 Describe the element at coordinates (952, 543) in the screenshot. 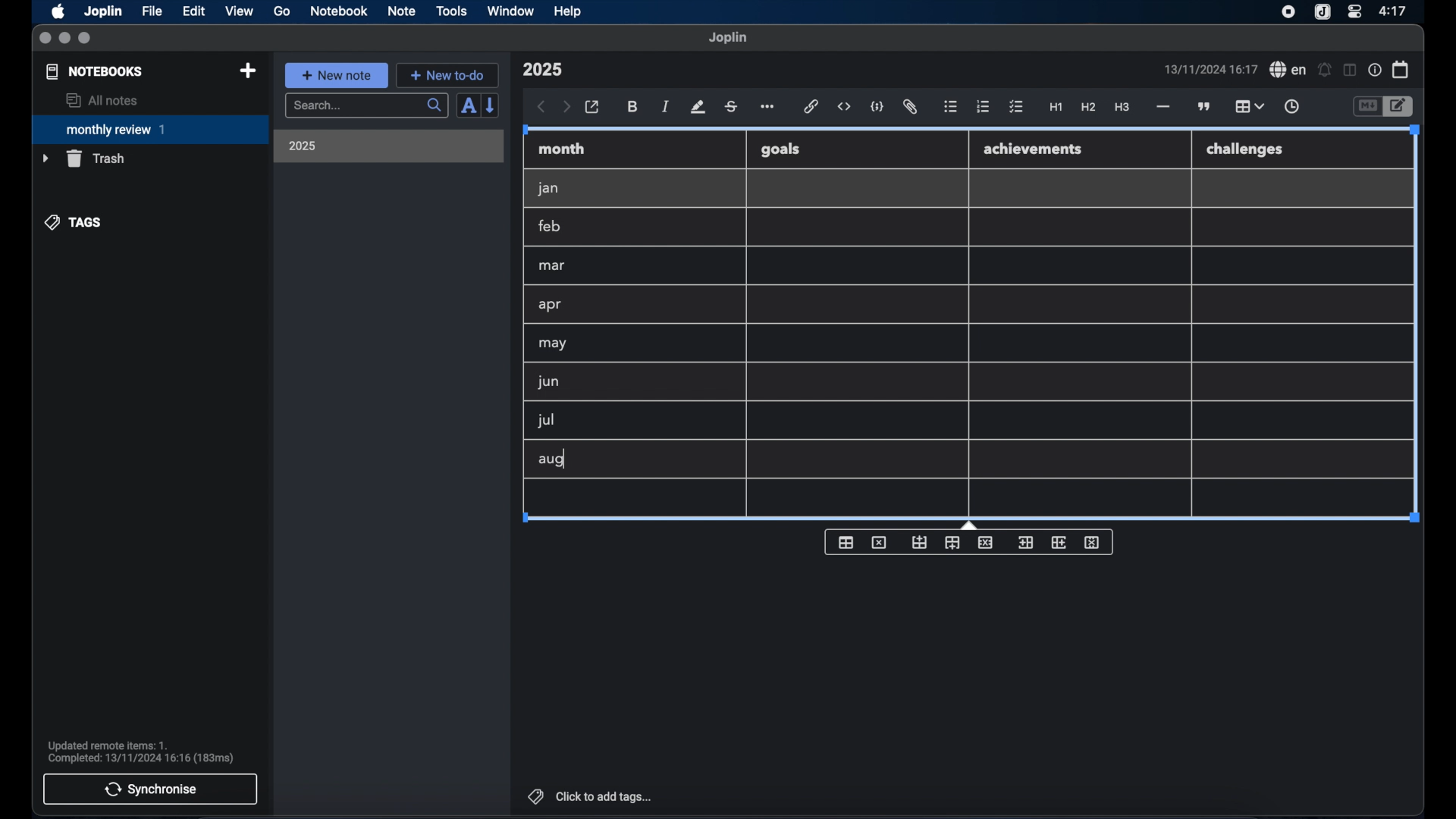

I see `insert row after` at that location.